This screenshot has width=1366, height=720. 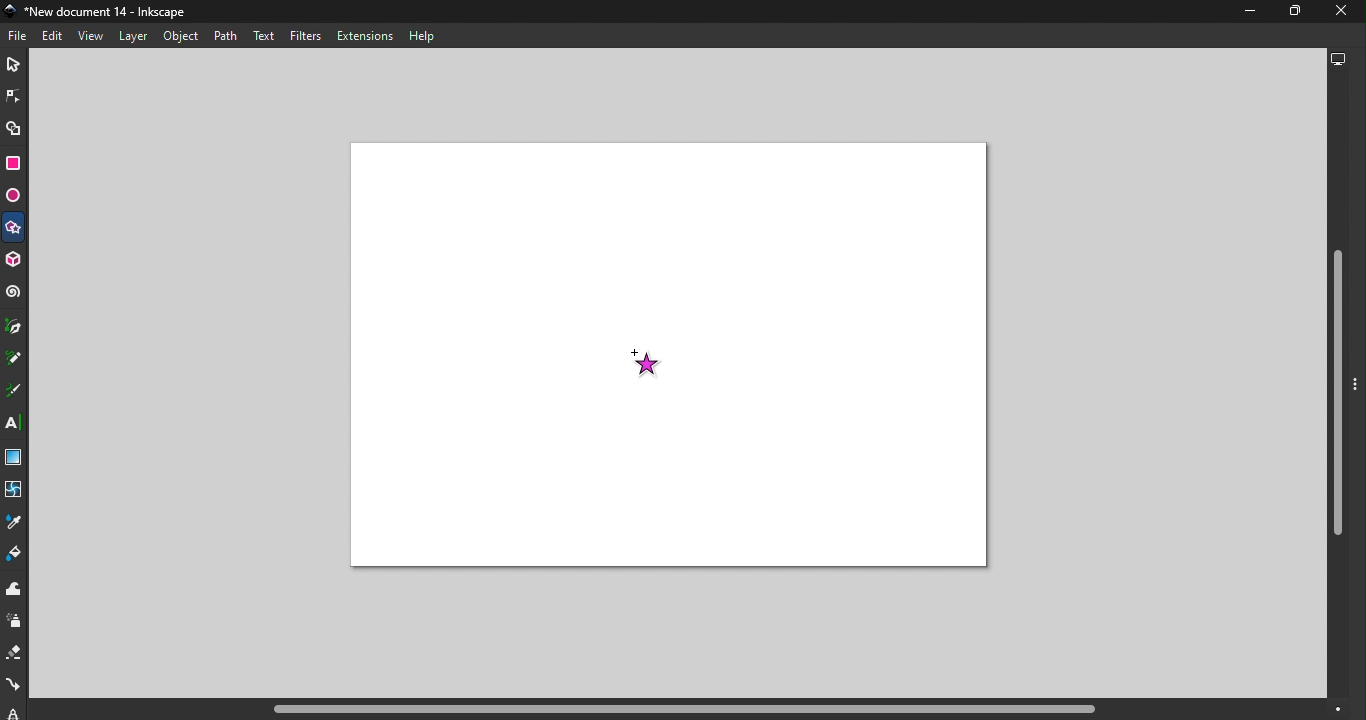 What do you see at coordinates (15, 557) in the screenshot?
I see `Paint bucket tool` at bounding box center [15, 557].